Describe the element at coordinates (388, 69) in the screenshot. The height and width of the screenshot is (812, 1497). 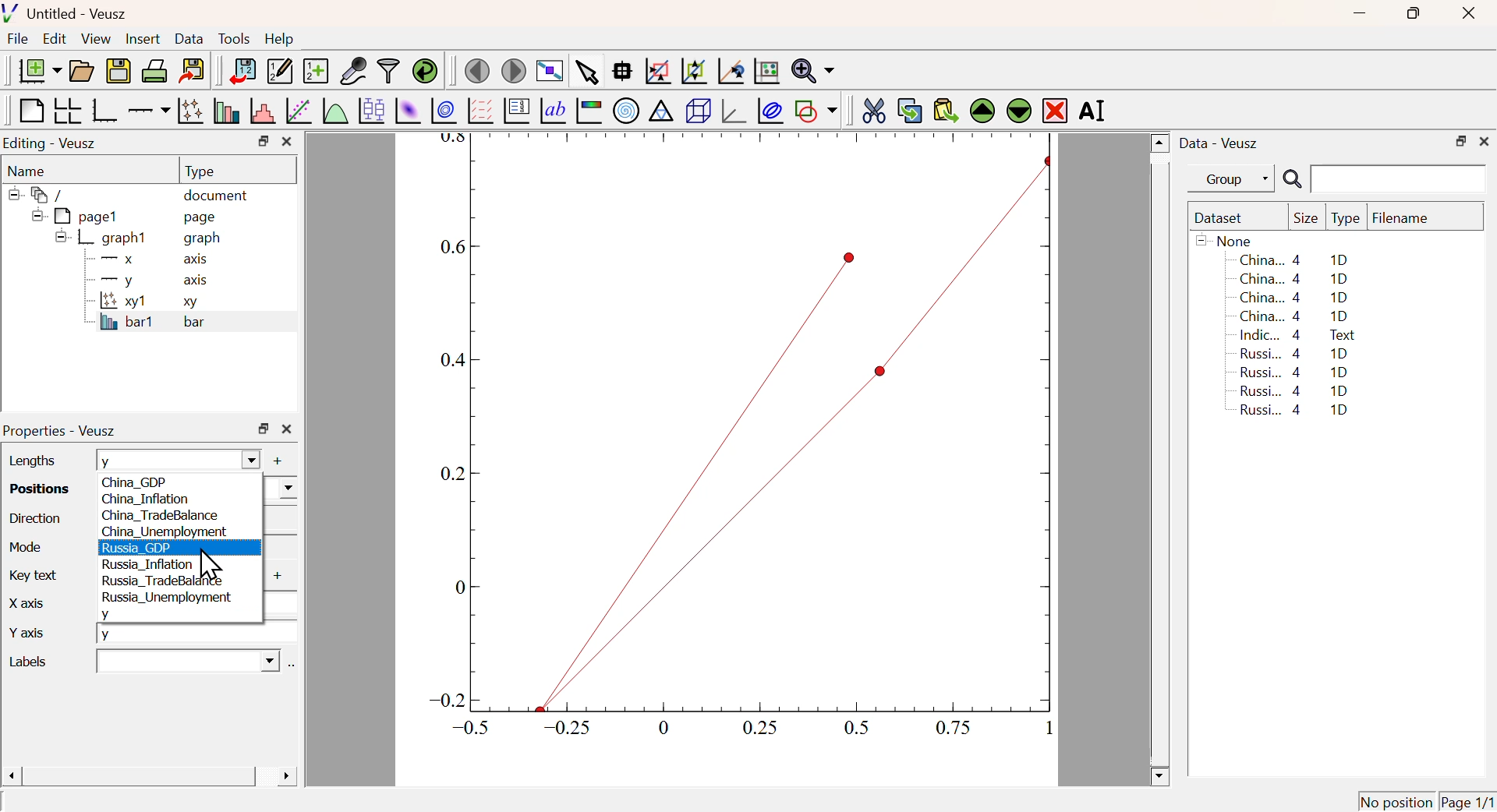
I see `Filter Data` at that location.